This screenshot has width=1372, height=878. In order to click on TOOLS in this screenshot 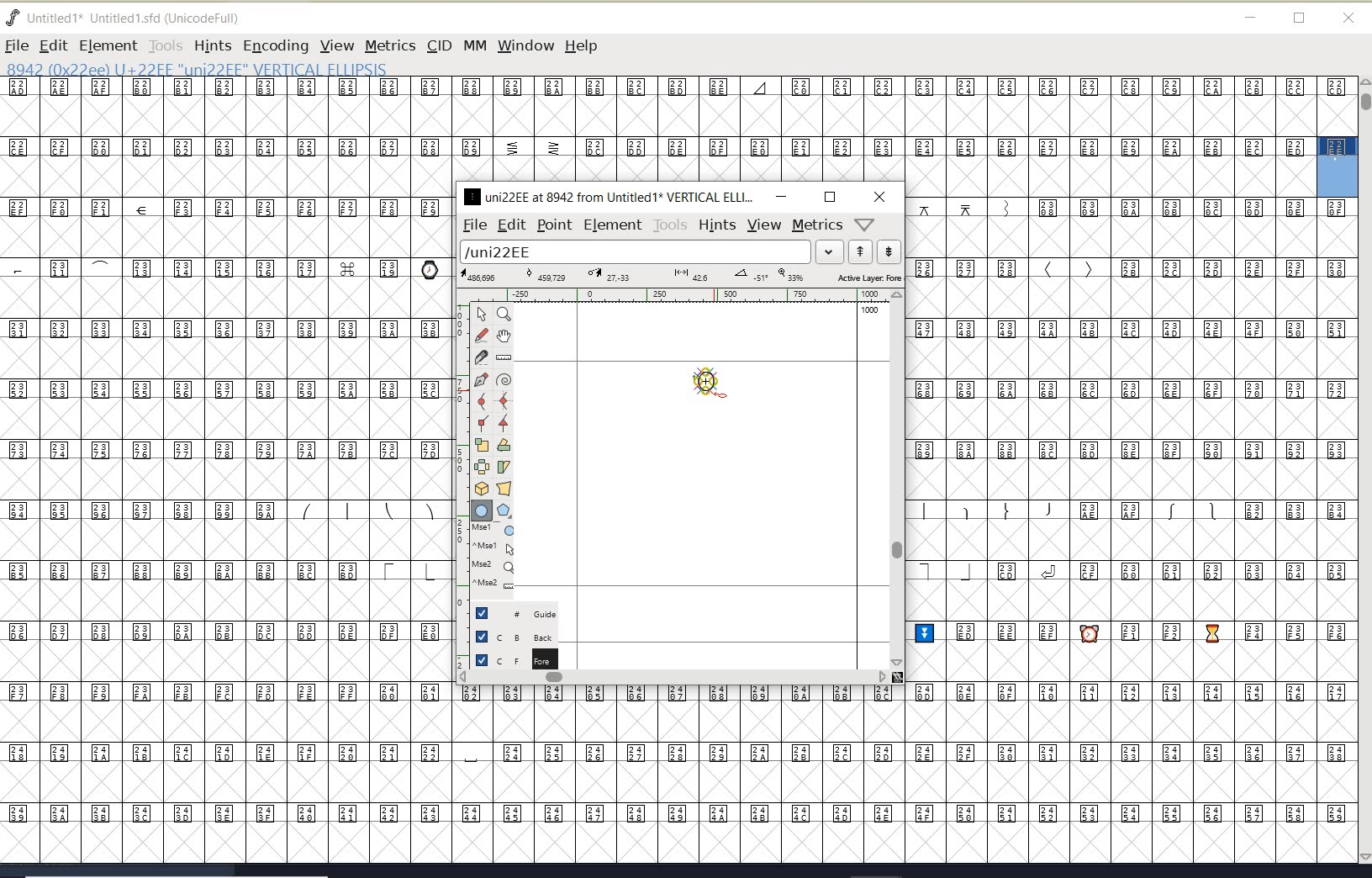, I will do `click(165, 45)`.